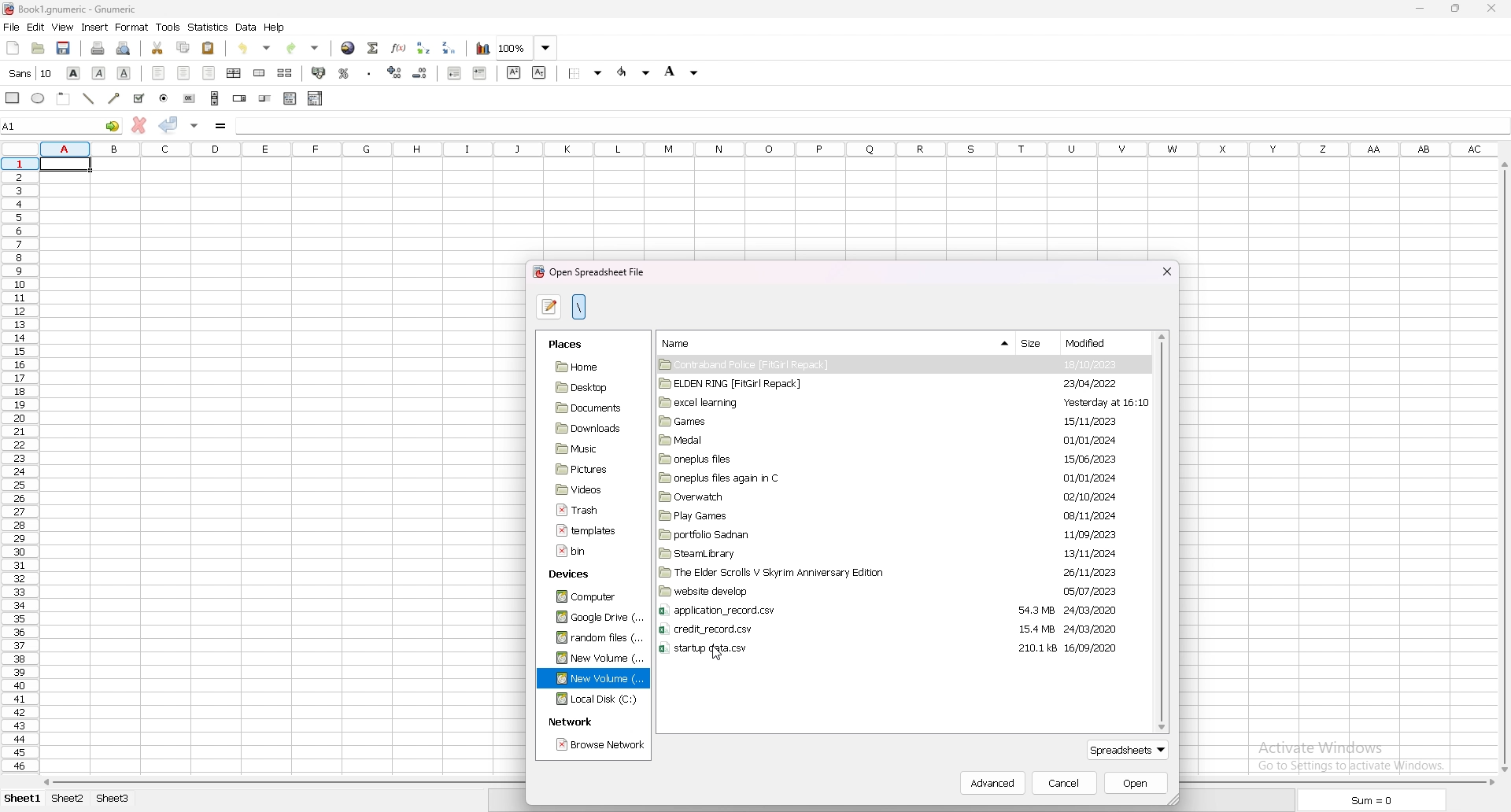 This screenshot has width=1511, height=812. Describe the element at coordinates (807, 571) in the screenshot. I see `folder` at that location.